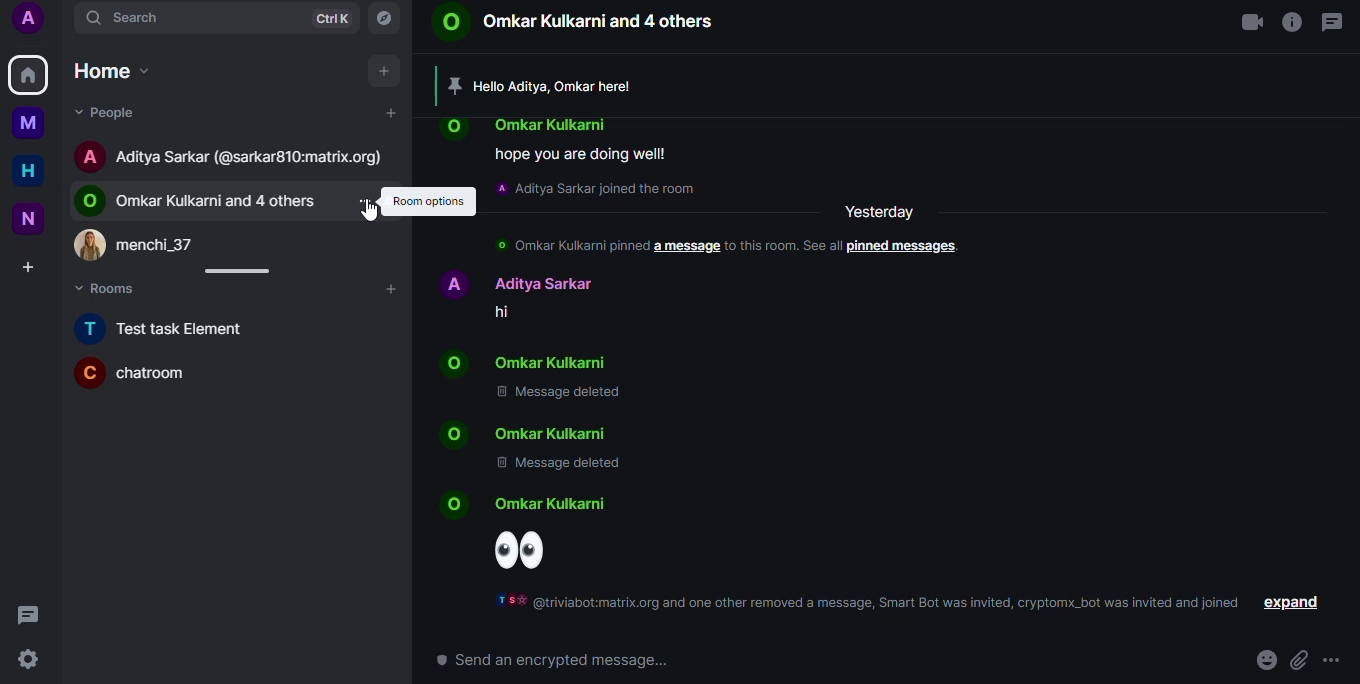 Image resolution: width=1360 pixels, height=684 pixels. What do you see at coordinates (31, 615) in the screenshot?
I see `message` at bounding box center [31, 615].